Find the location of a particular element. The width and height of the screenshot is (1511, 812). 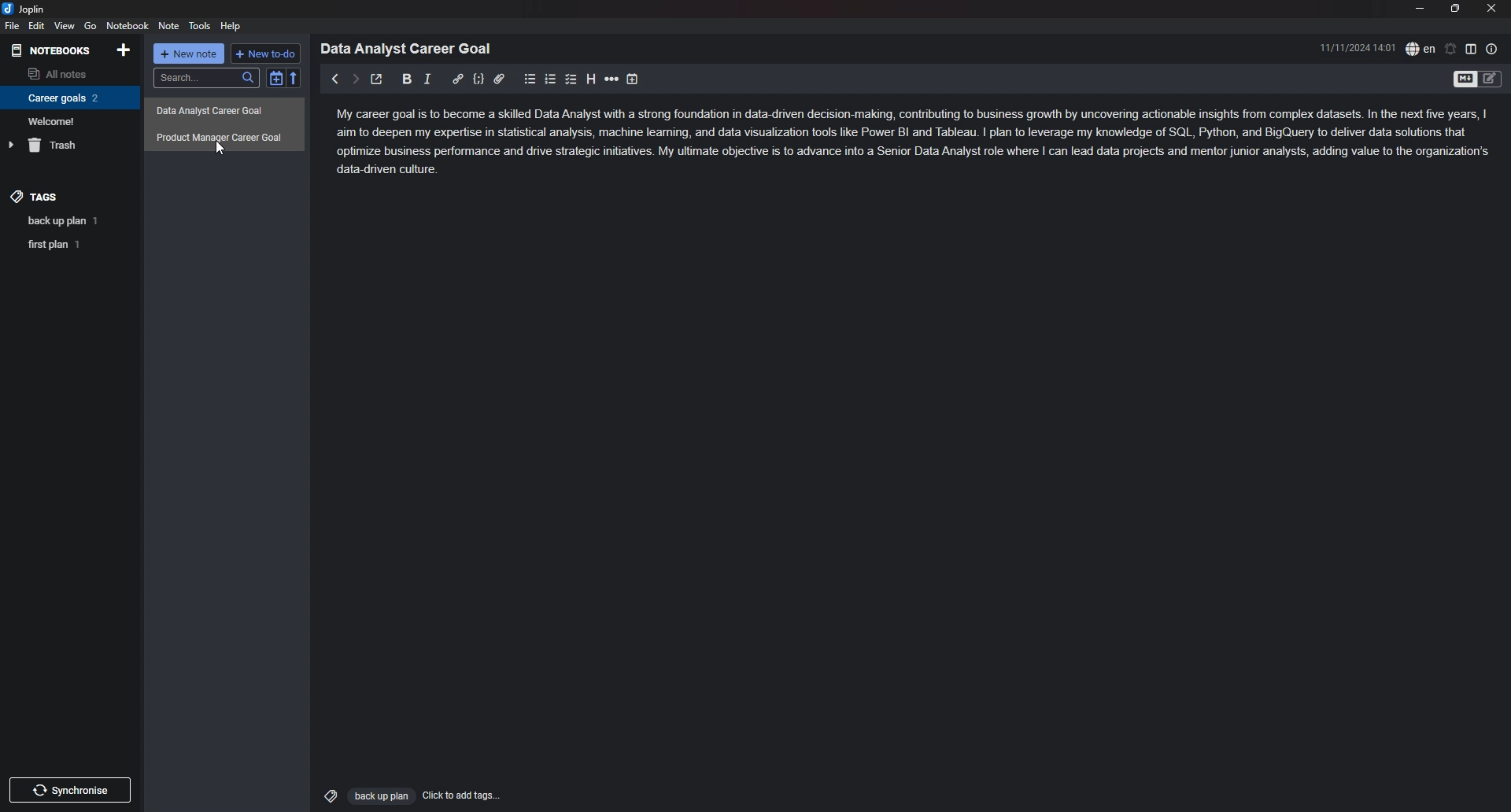

My career goal is to become a skilled Data Analyst with a strong foundation in data-driven decision-making, contributing to business growth by uncovering actionable insights from complex datasets. In the next five years, |
aim to deepen my expertise in statistical analysis, machine leaming, and data visualization tools like Power BI and Tableau. | plan to leverage my knowledge of SQL, Python, and BigQuery to deliver data solutions that
optimize business performance and drive strategic initiatives. My ultimate objective is to advance into a Senior Data Analyst role where | can lead data projects and mentor junior analysts, adding value to the organization's
data-driven culture. is located at coordinates (915, 145).